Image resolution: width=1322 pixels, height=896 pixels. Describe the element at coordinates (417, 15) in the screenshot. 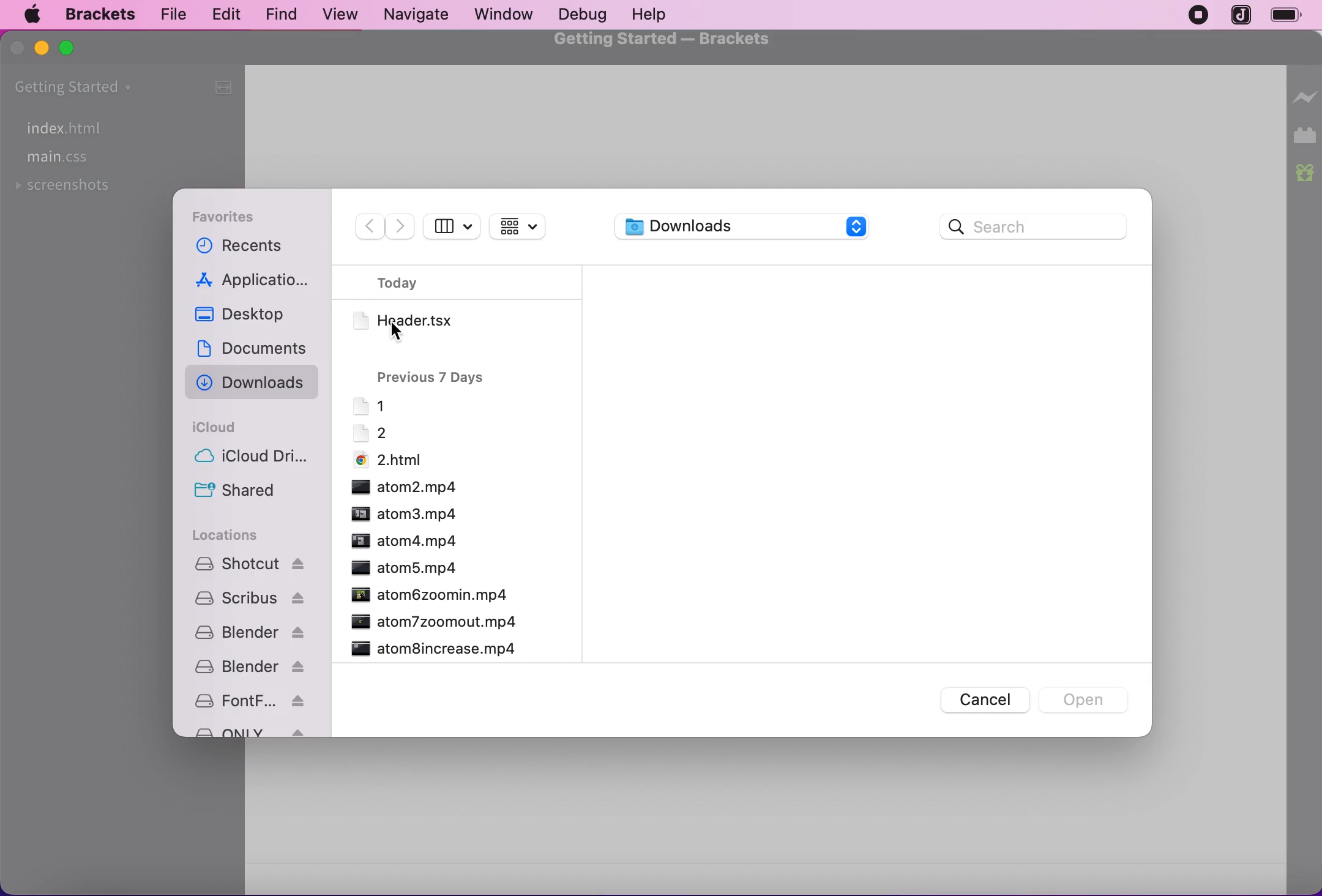

I see `navigate` at that location.